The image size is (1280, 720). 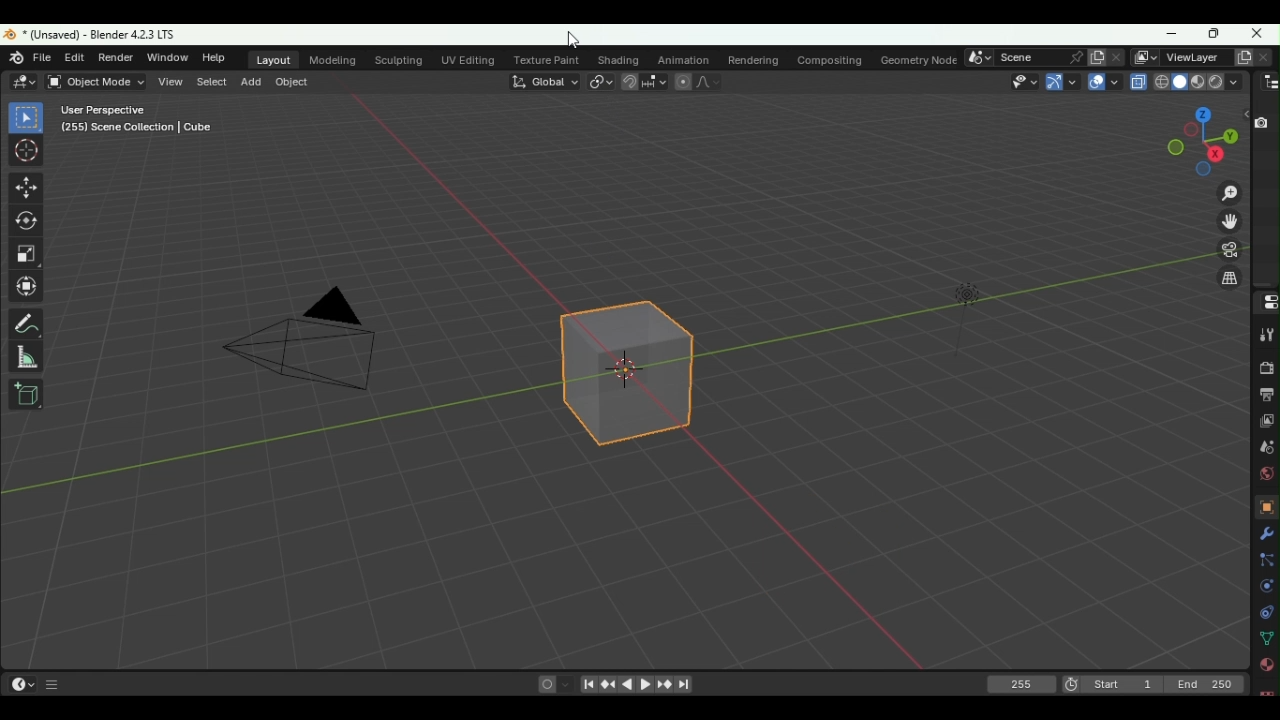 I want to click on Physics, so click(x=1268, y=588).